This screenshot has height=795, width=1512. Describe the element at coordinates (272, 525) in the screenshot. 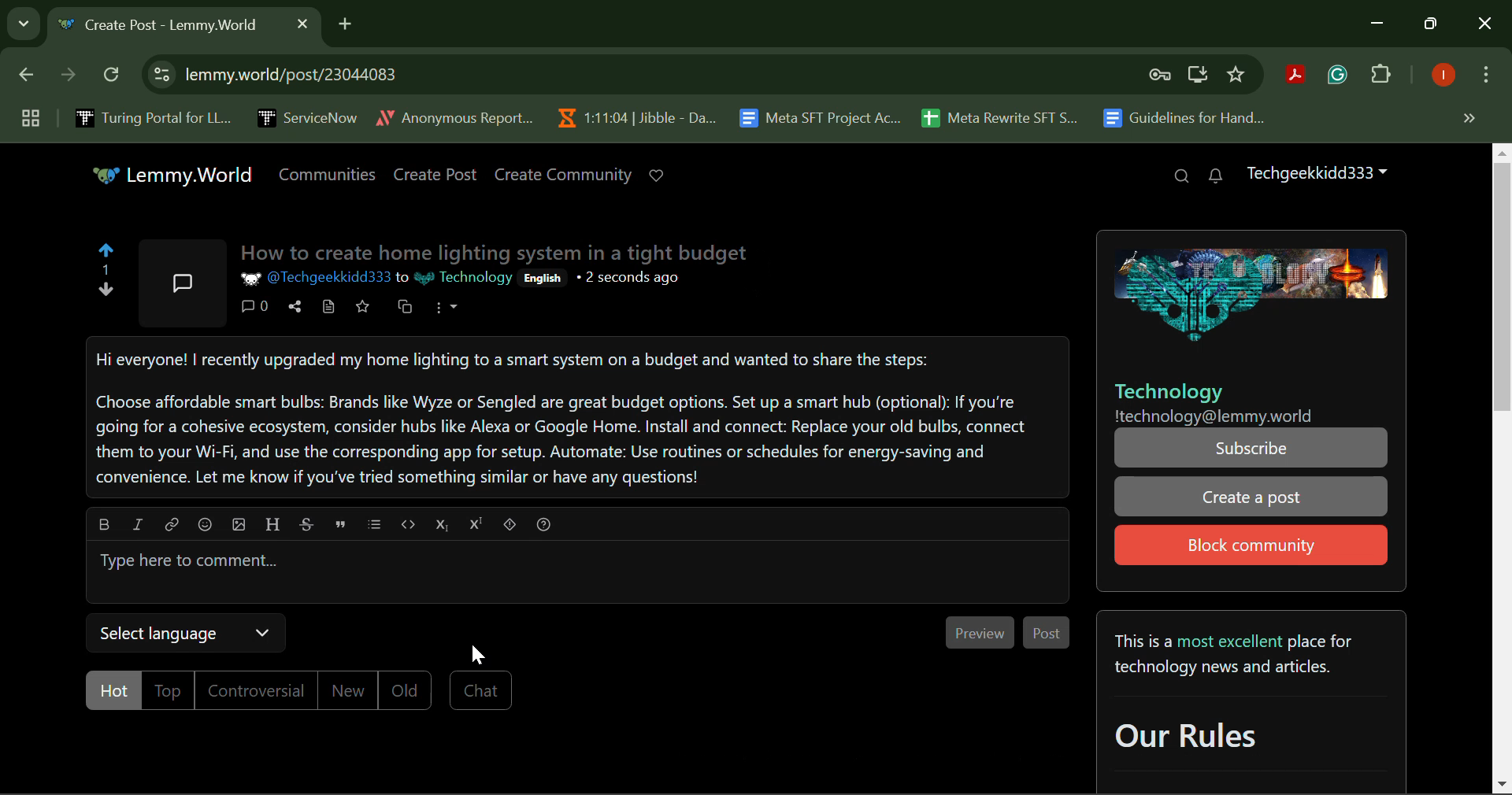

I see `header` at that location.